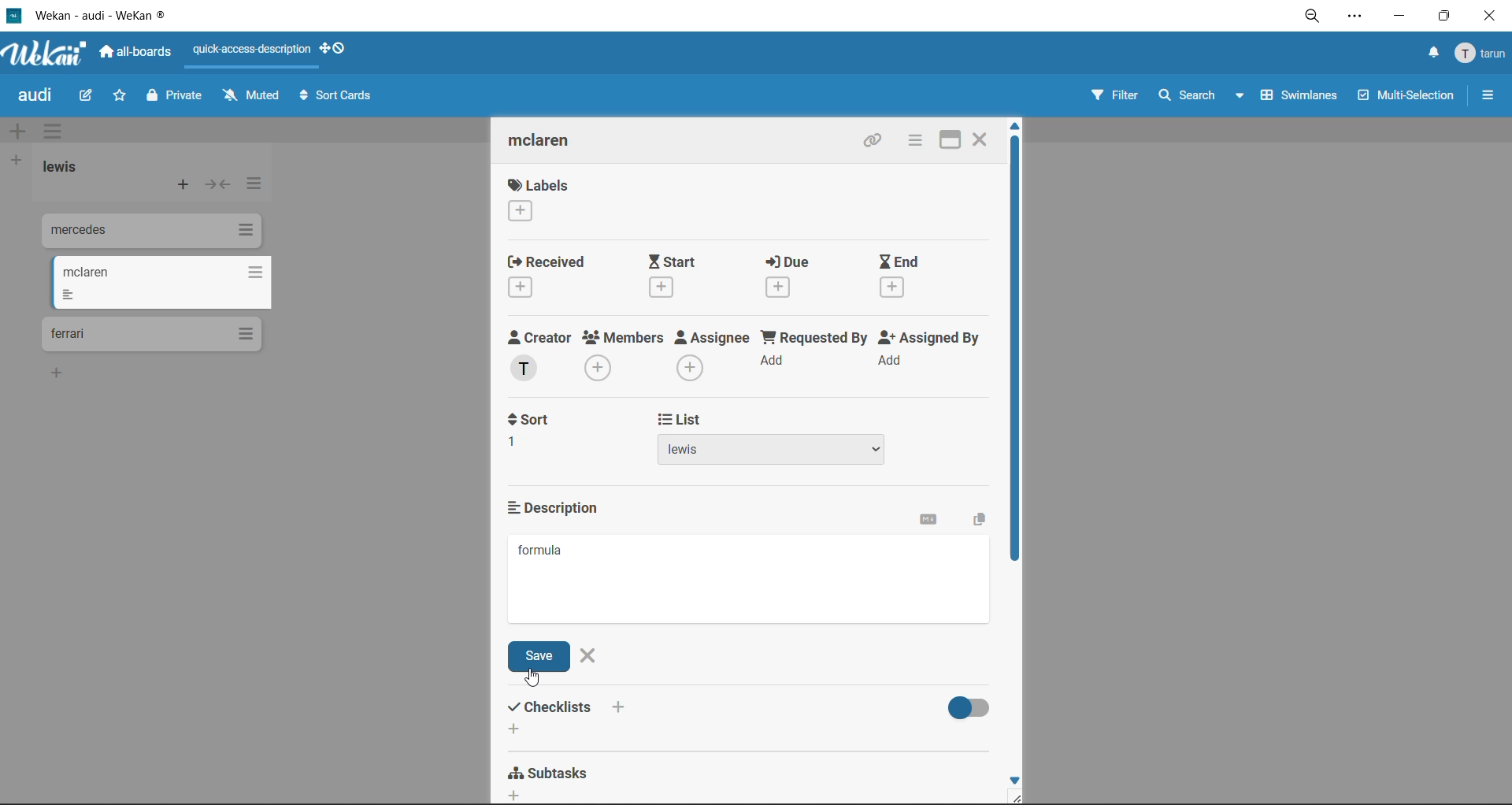 The height and width of the screenshot is (805, 1512). Describe the element at coordinates (914, 140) in the screenshot. I see `card actions` at that location.